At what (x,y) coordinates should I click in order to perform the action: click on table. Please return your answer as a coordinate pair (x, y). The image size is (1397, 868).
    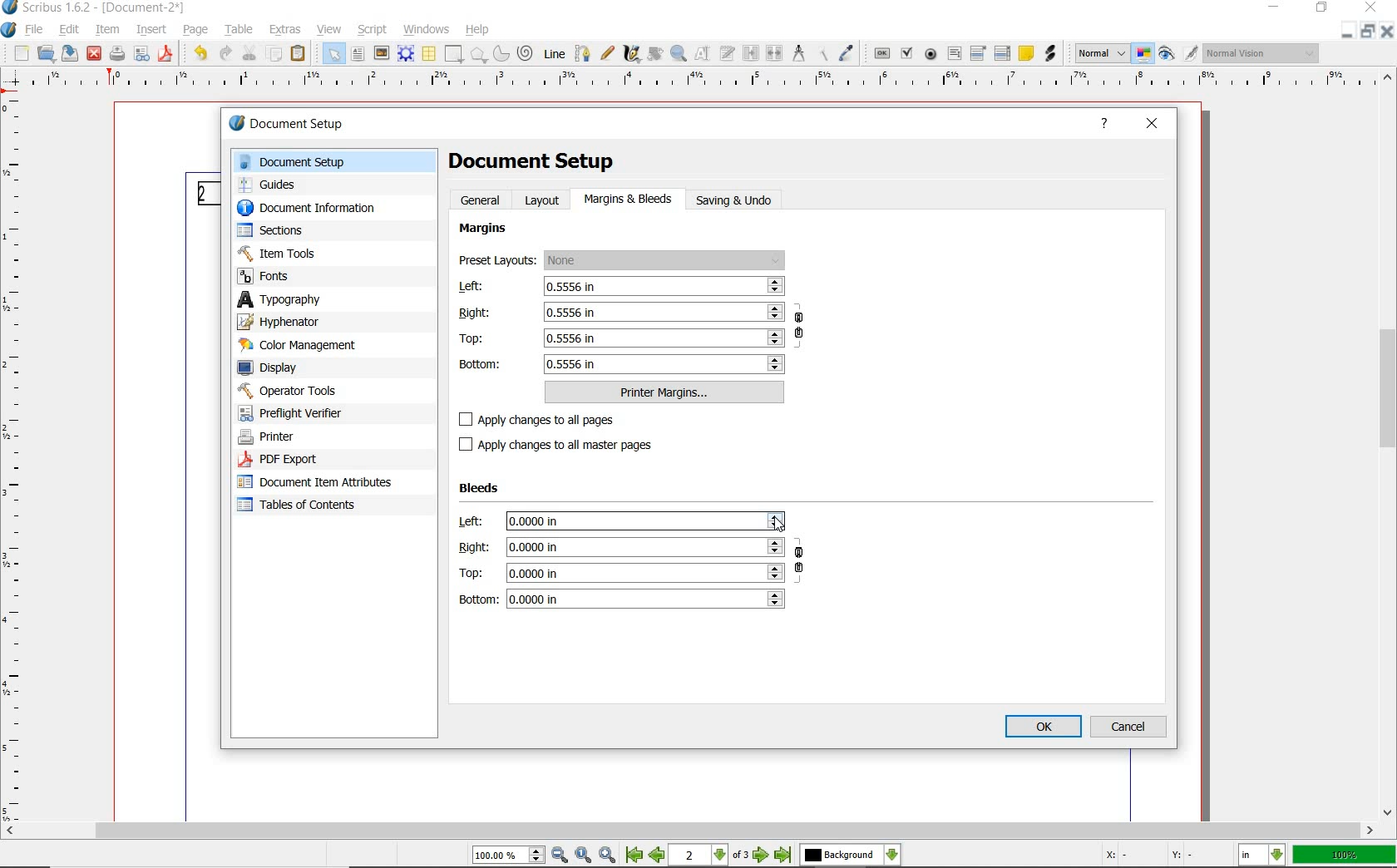
    Looking at the image, I should click on (240, 31).